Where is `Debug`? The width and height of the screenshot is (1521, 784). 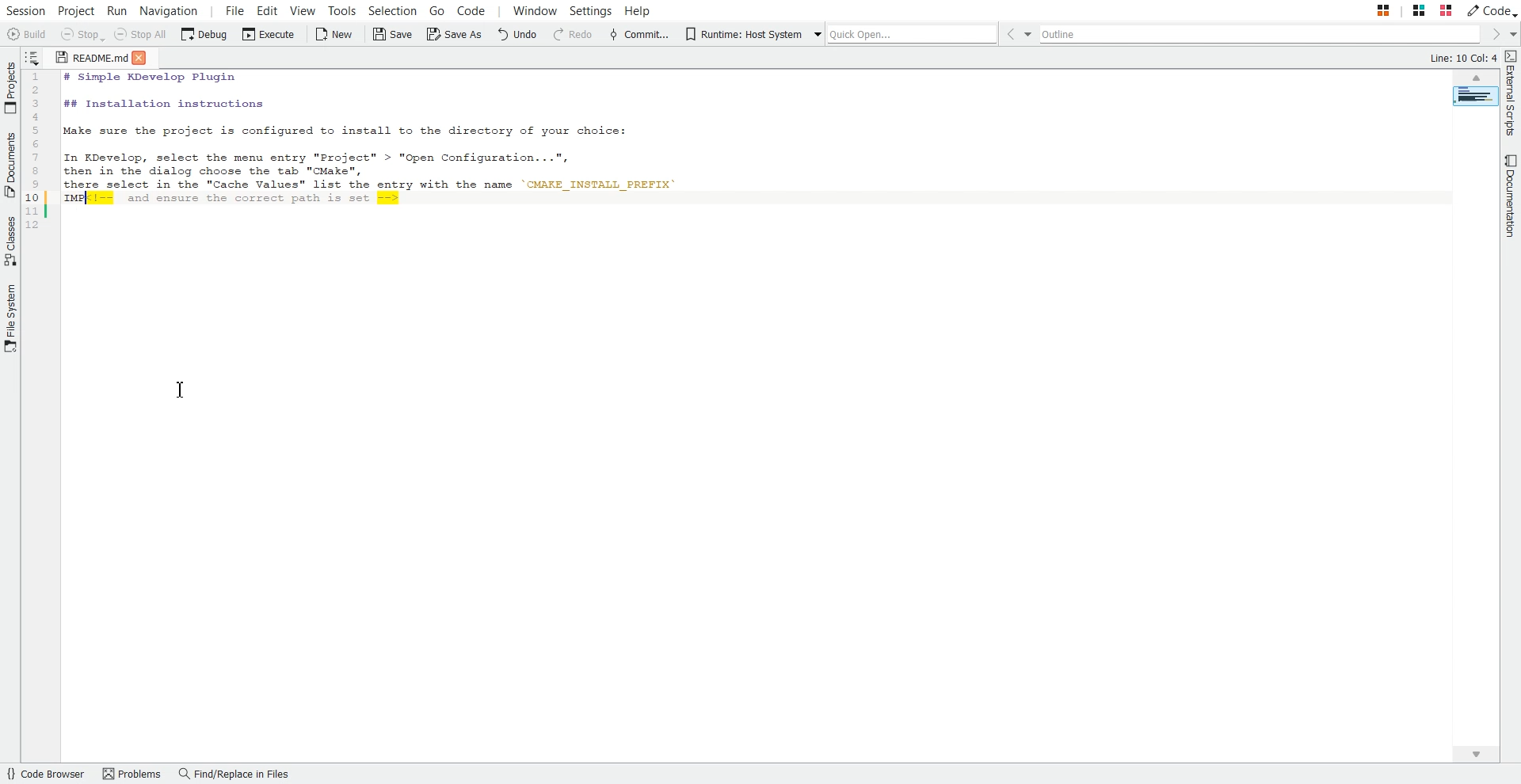 Debug is located at coordinates (203, 35).